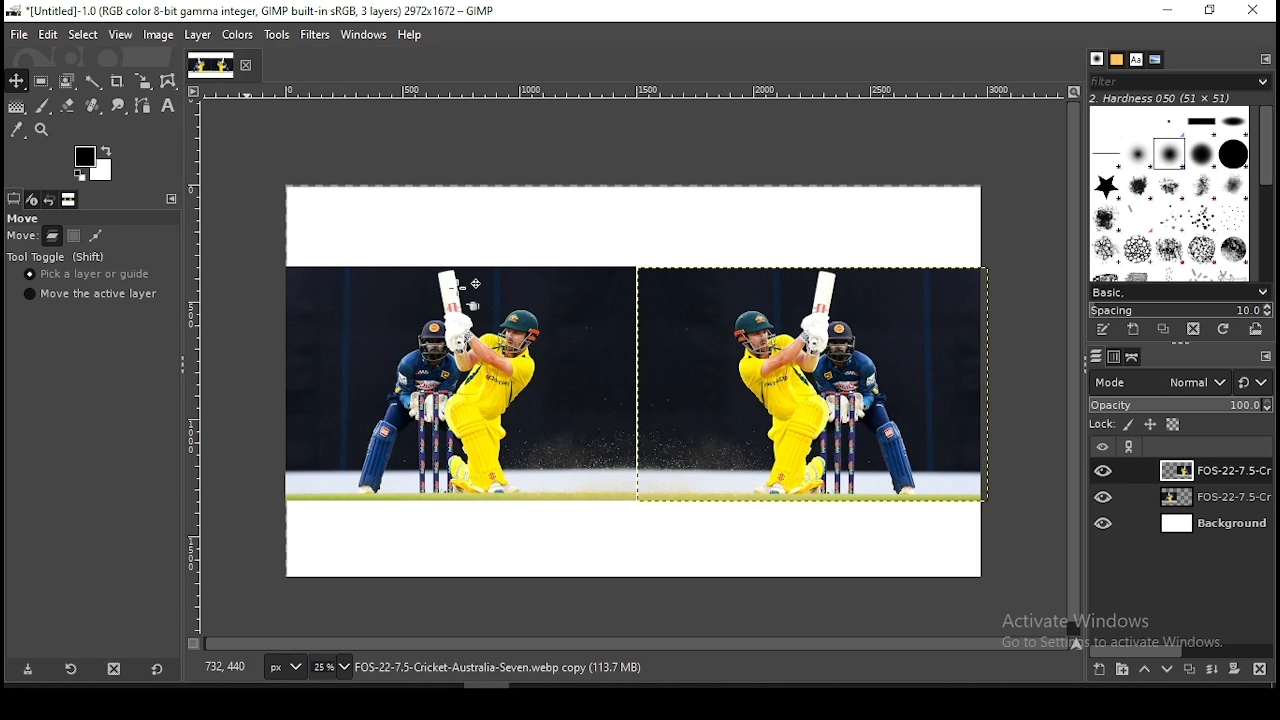  What do you see at coordinates (1103, 329) in the screenshot?
I see `edit this brush` at bounding box center [1103, 329].